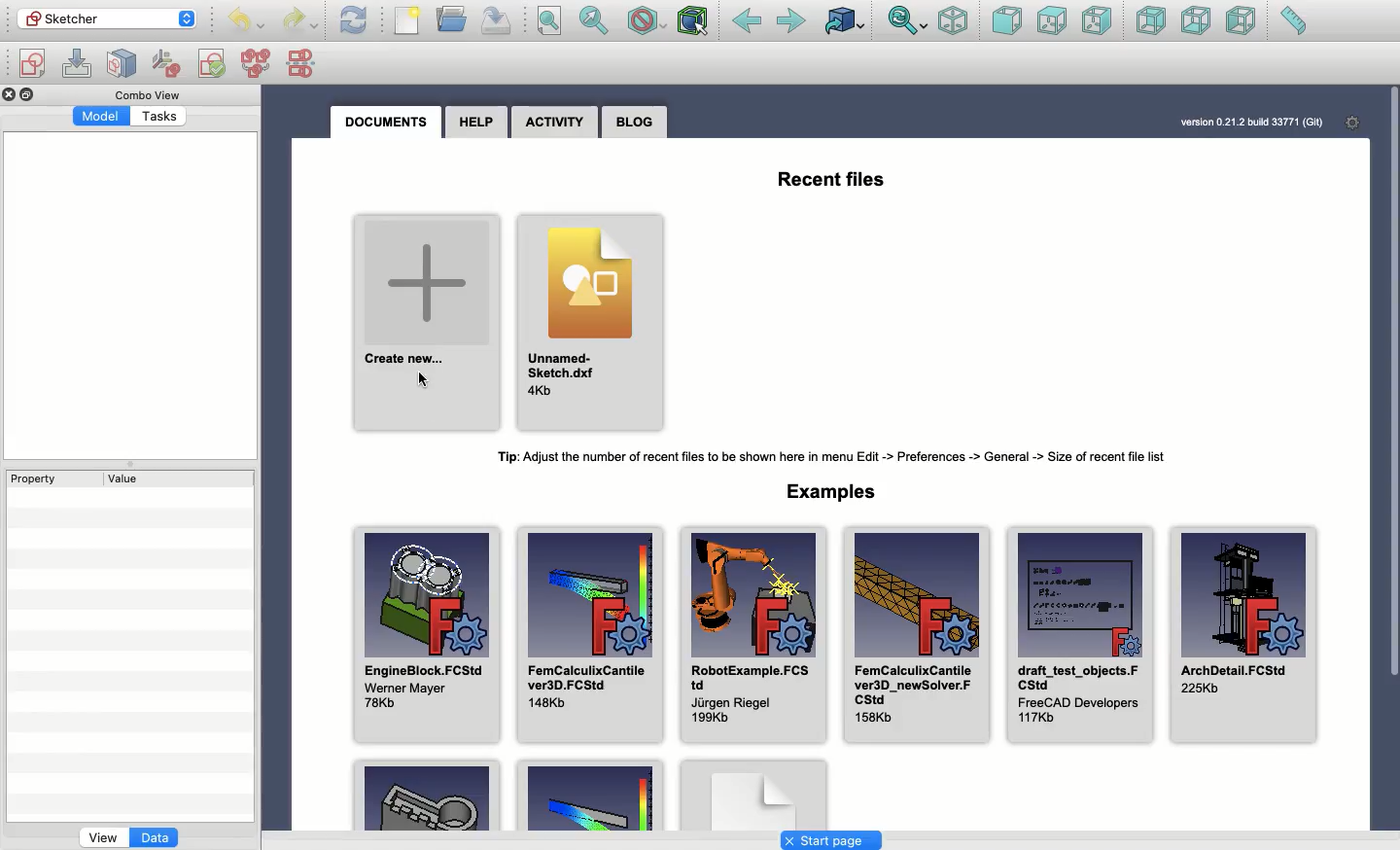 The width and height of the screenshot is (1400, 850). I want to click on Redo, so click(299, 21).